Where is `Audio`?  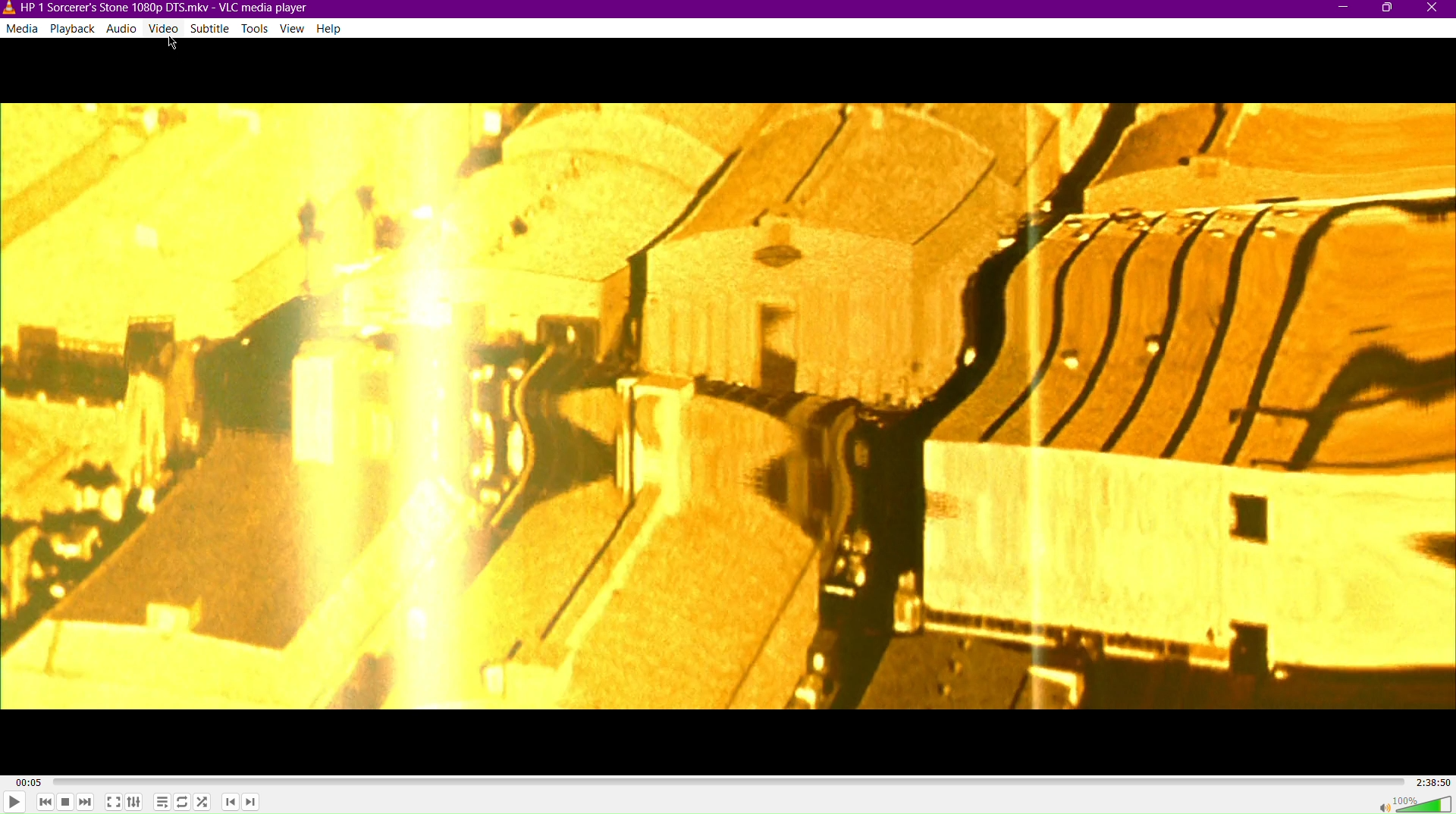
Audio is located at coordinates (125, 30).